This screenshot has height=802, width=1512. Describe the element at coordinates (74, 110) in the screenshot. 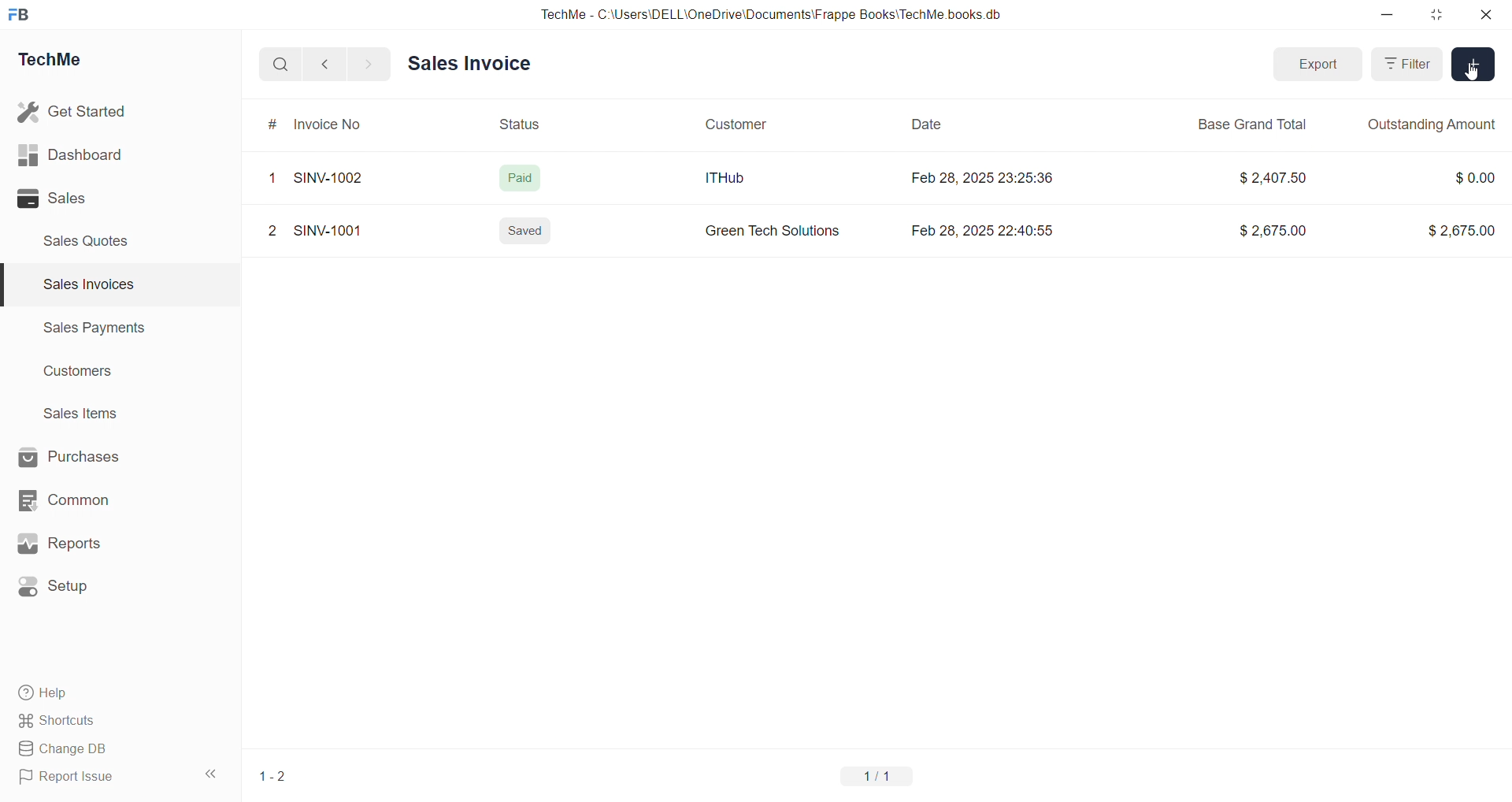

I see `& Get Started` at that location.